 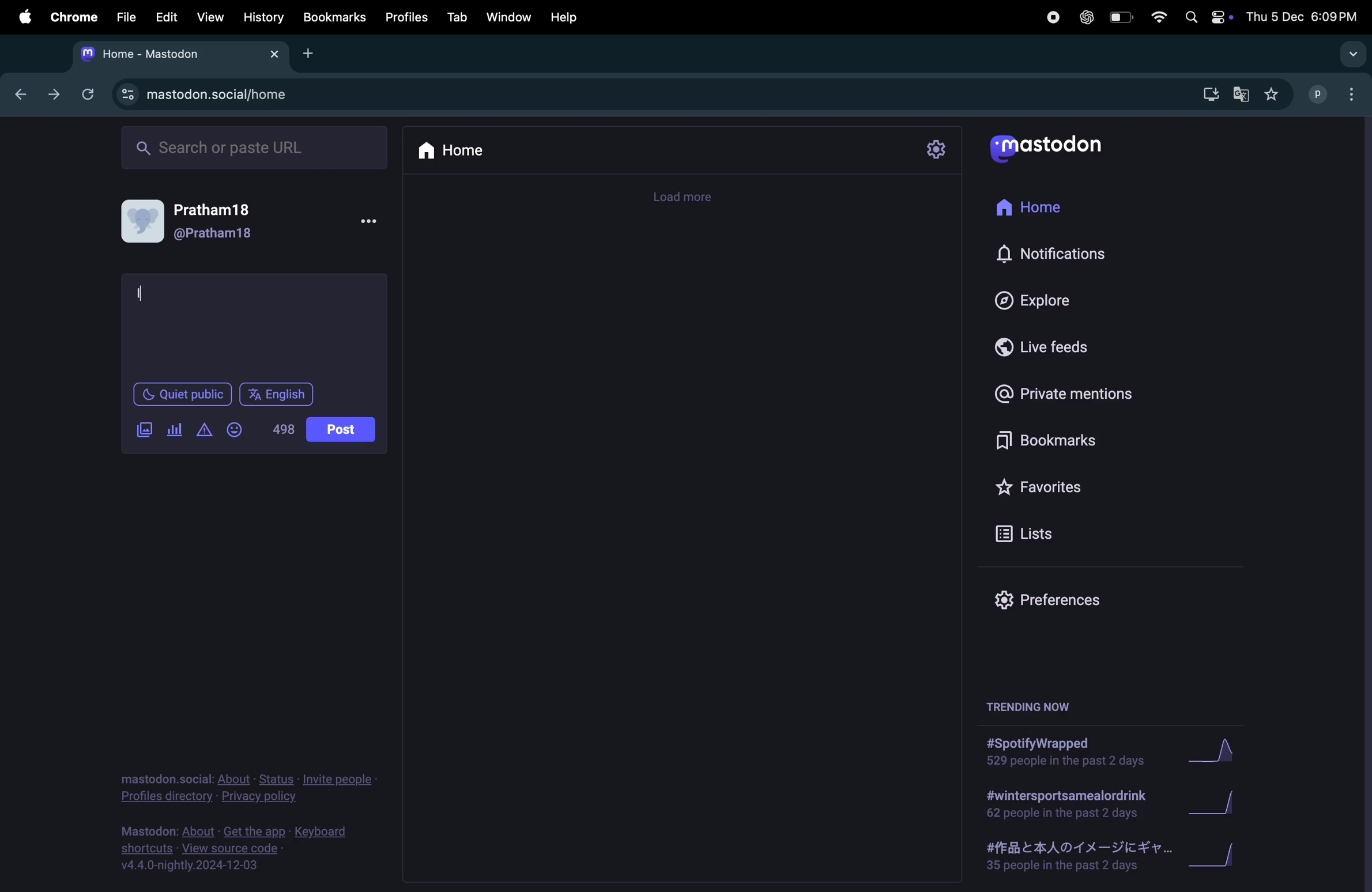 I want to click on view source code, so click(x=246, y=850).